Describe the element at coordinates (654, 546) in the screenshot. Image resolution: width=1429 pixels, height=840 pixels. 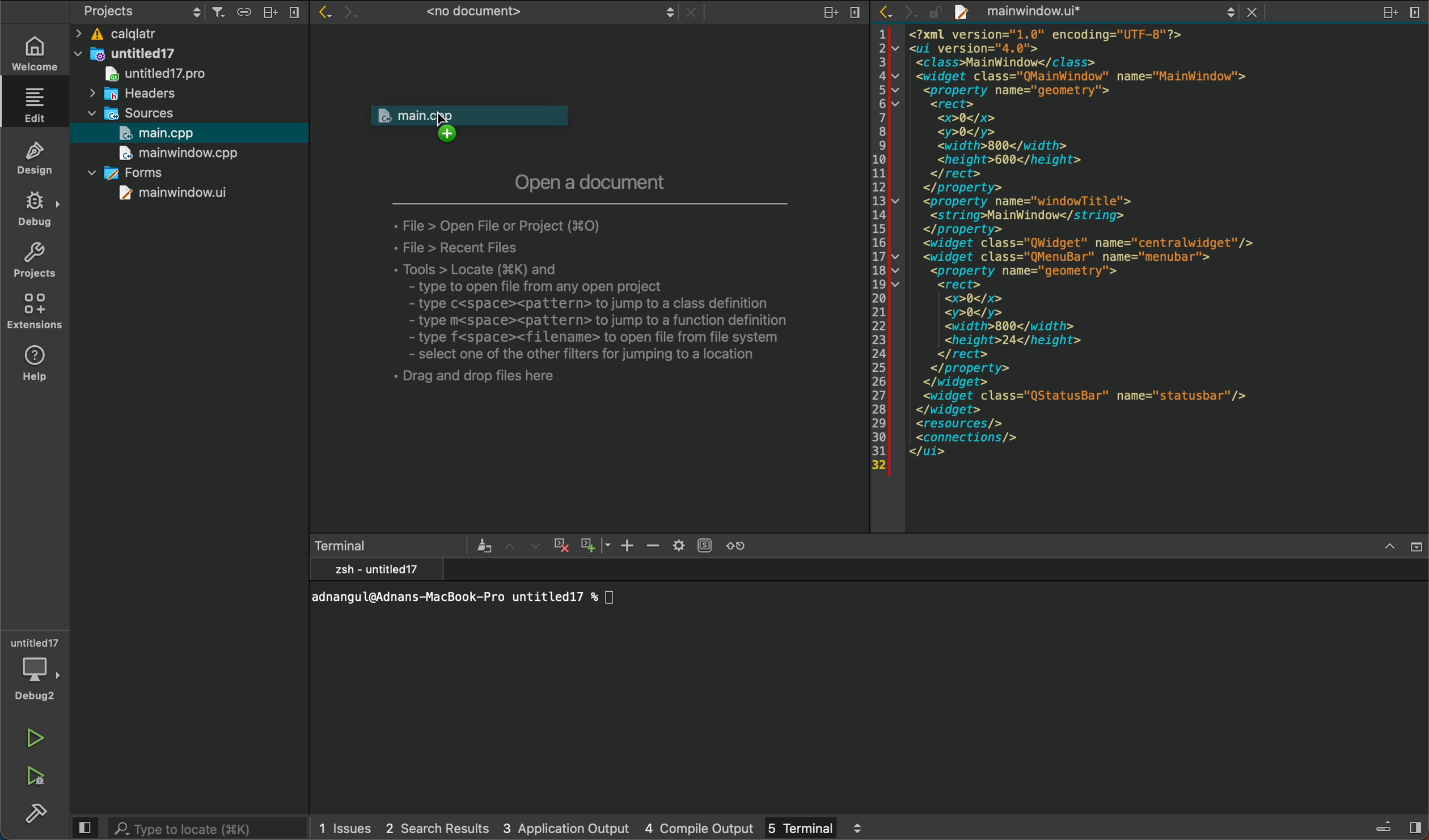
I see `zoom out` at that location.